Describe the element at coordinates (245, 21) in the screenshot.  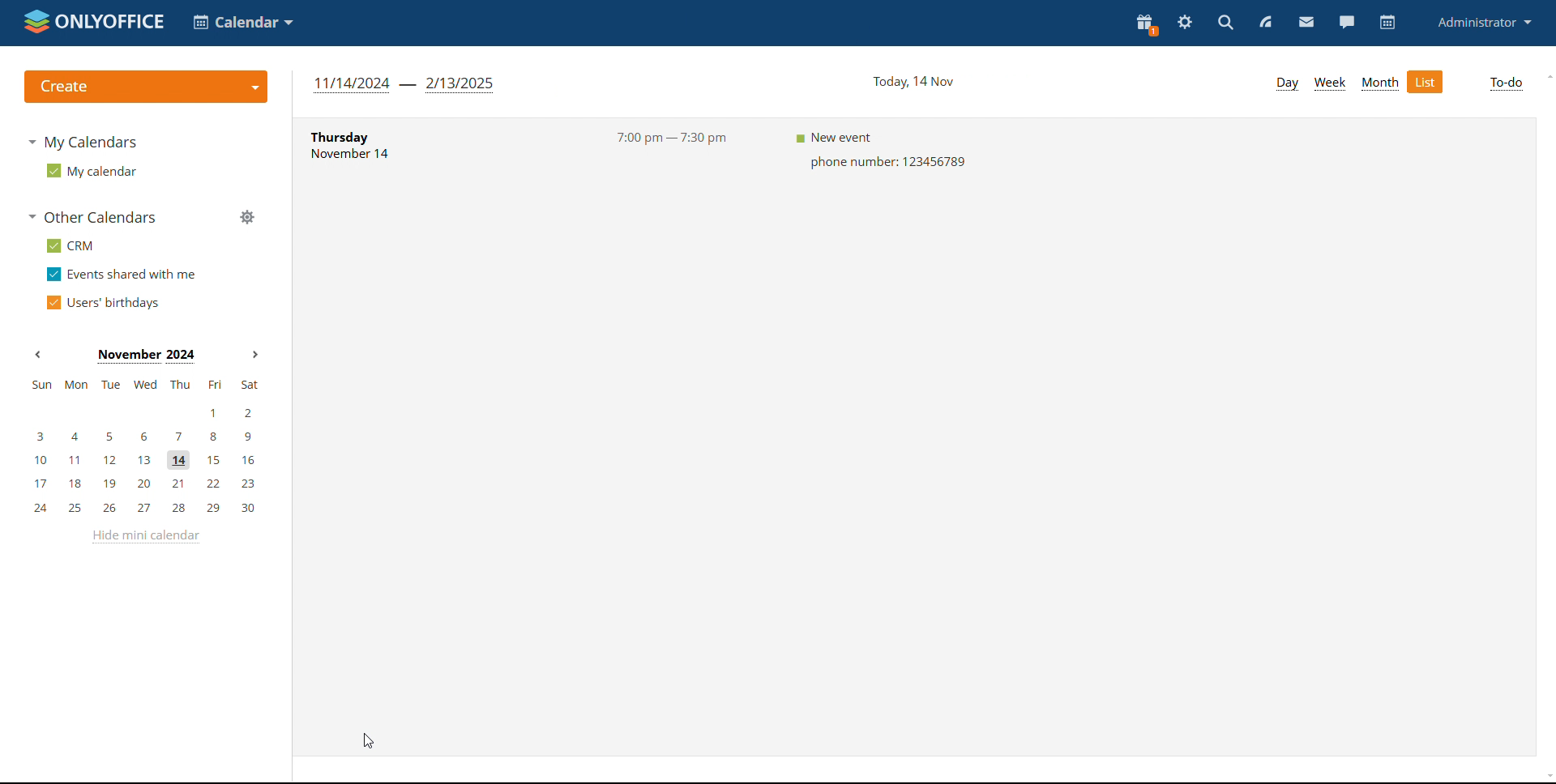
I see `select application` at that location.